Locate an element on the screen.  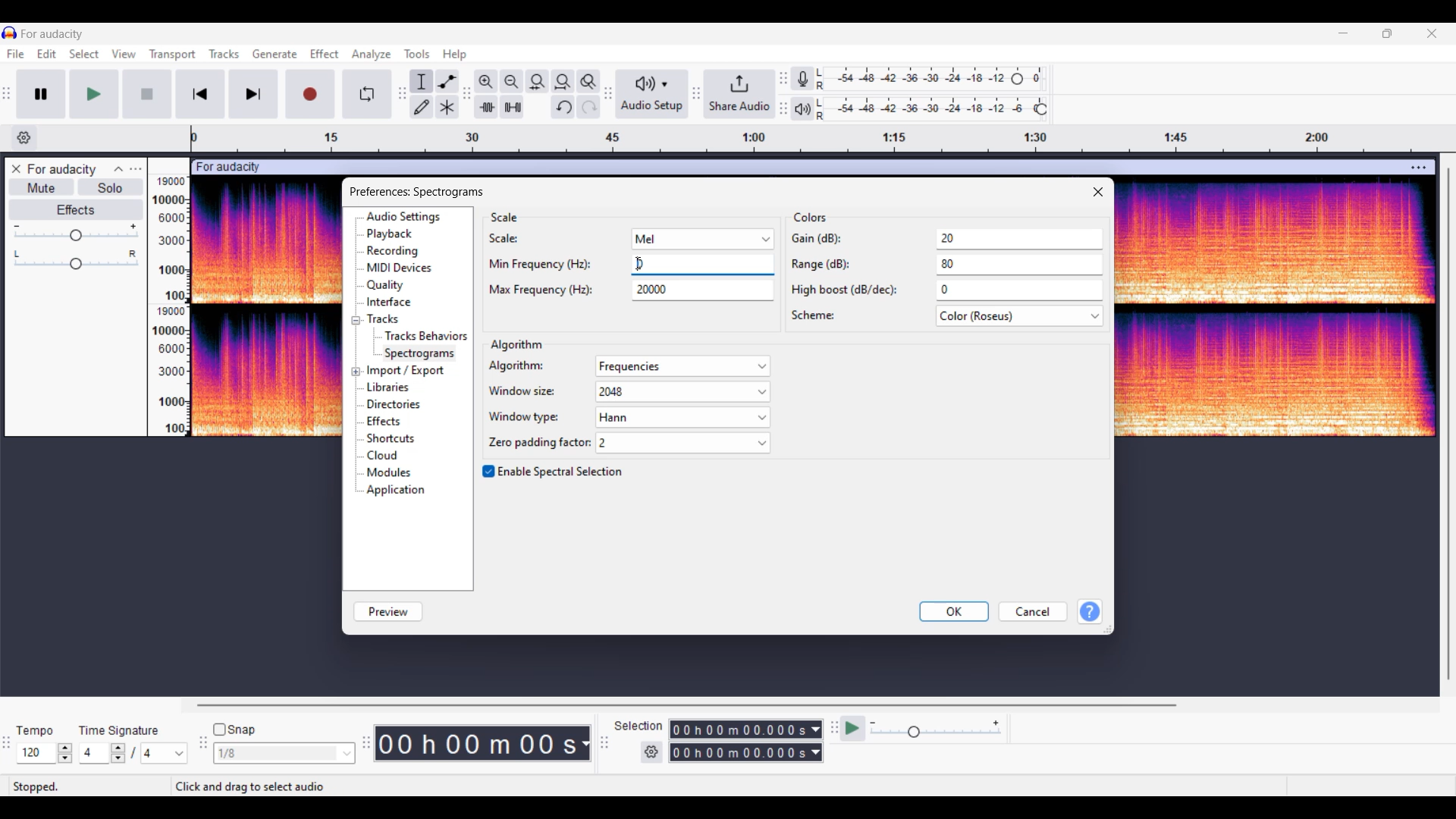
recording is located at coordinates (397, 251).